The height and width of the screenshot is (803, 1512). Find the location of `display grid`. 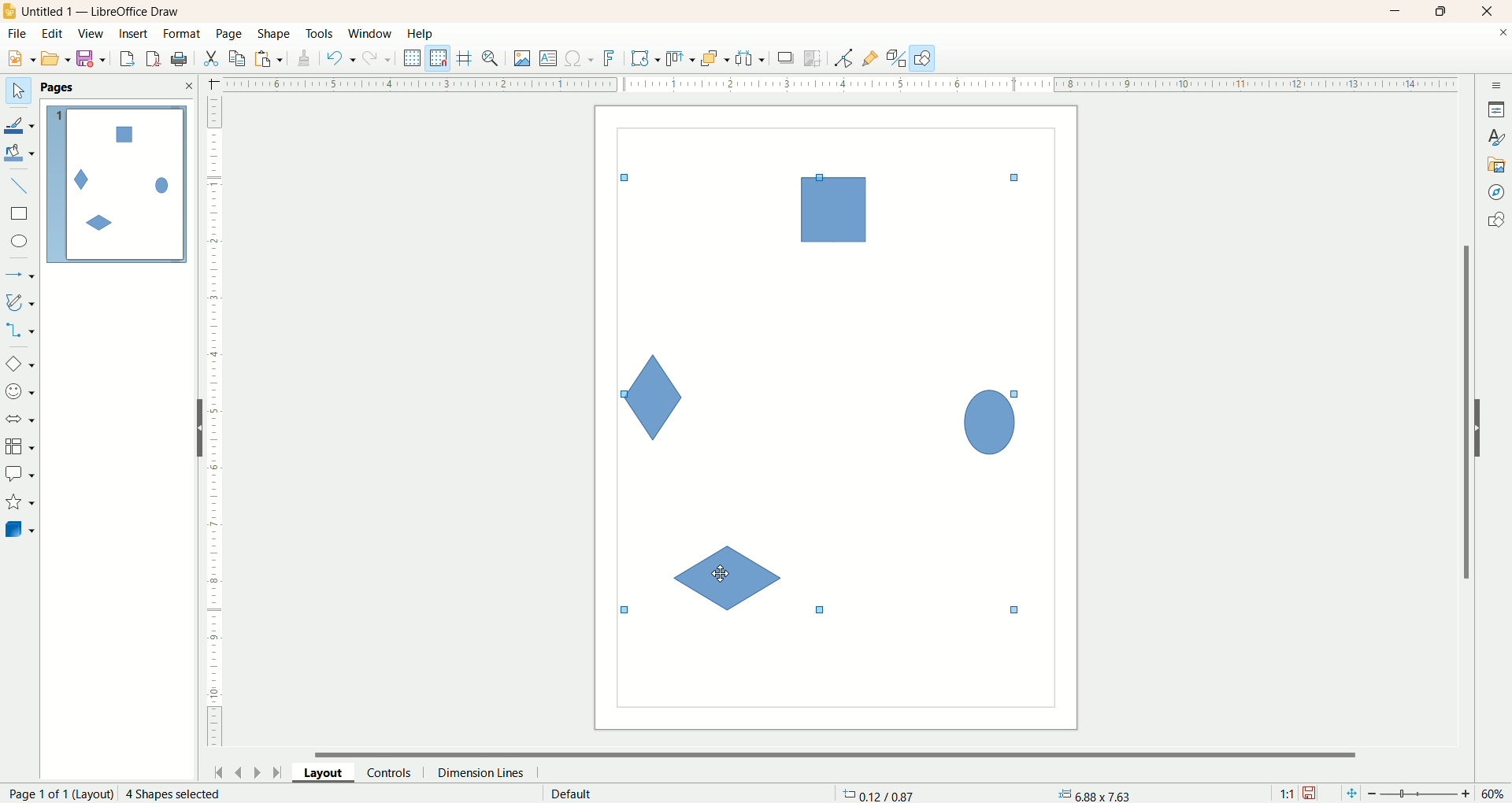

display grid is located at coordinates (413, 57).